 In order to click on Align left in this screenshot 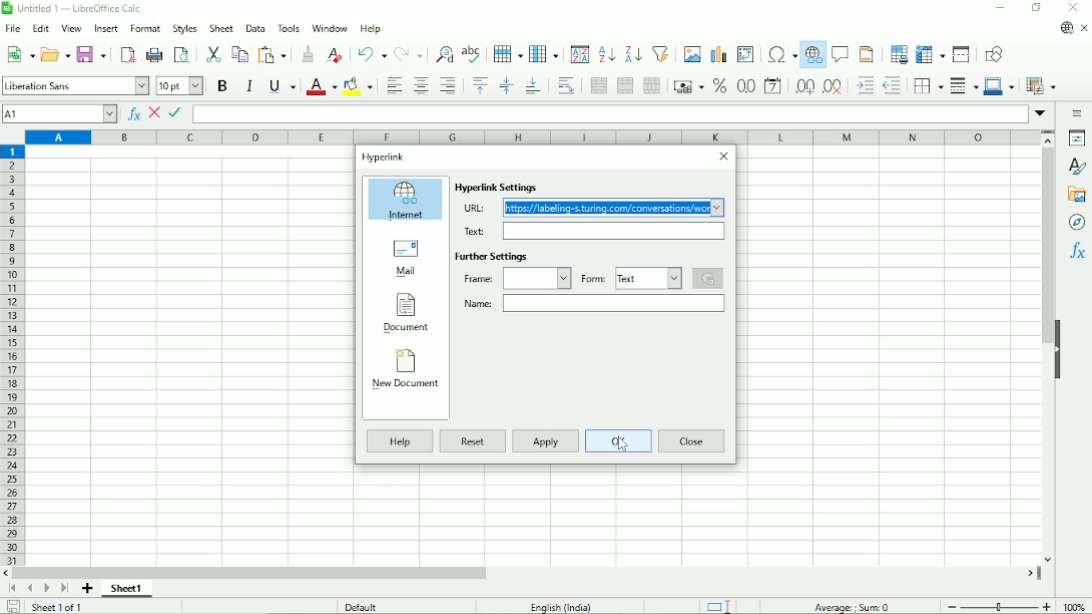, I will do `click(392, 86)`.